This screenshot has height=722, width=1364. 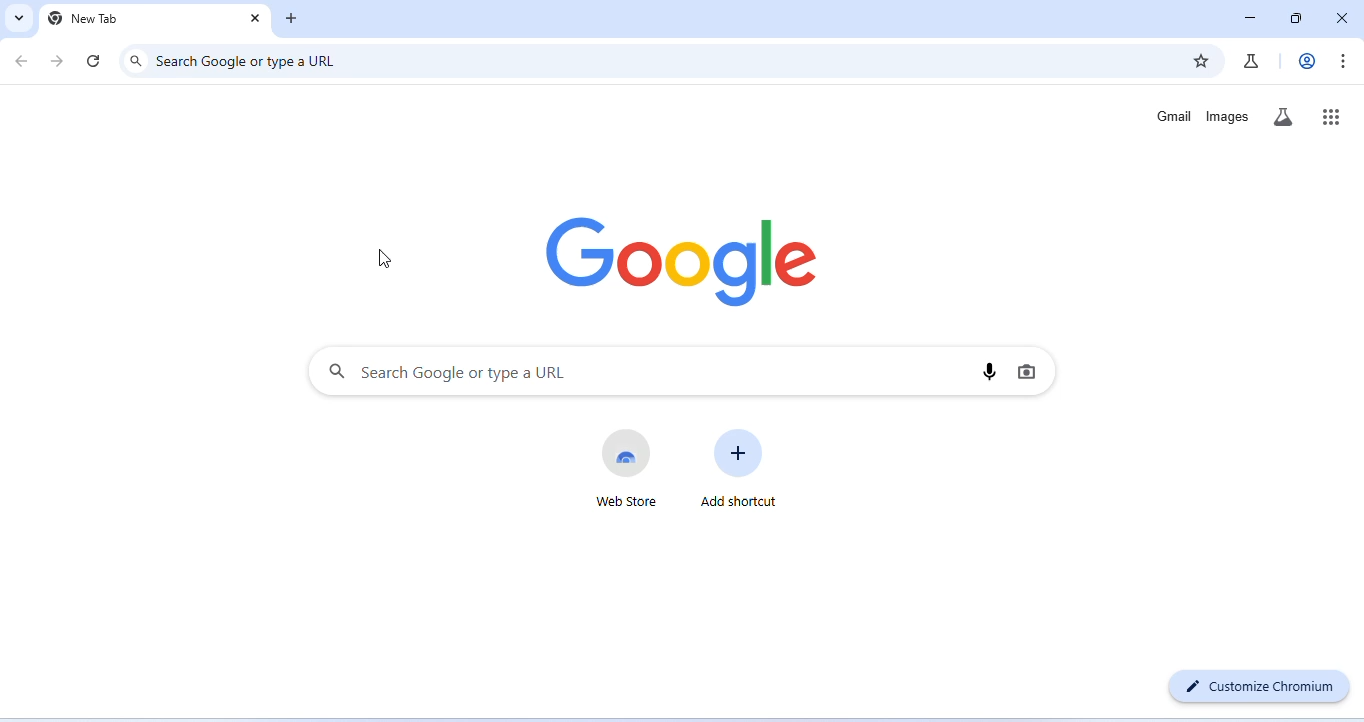 What do you see at coordinates (1332, 115) in the screenshot?
I see `google apps` at bounding box center [1332, 115].